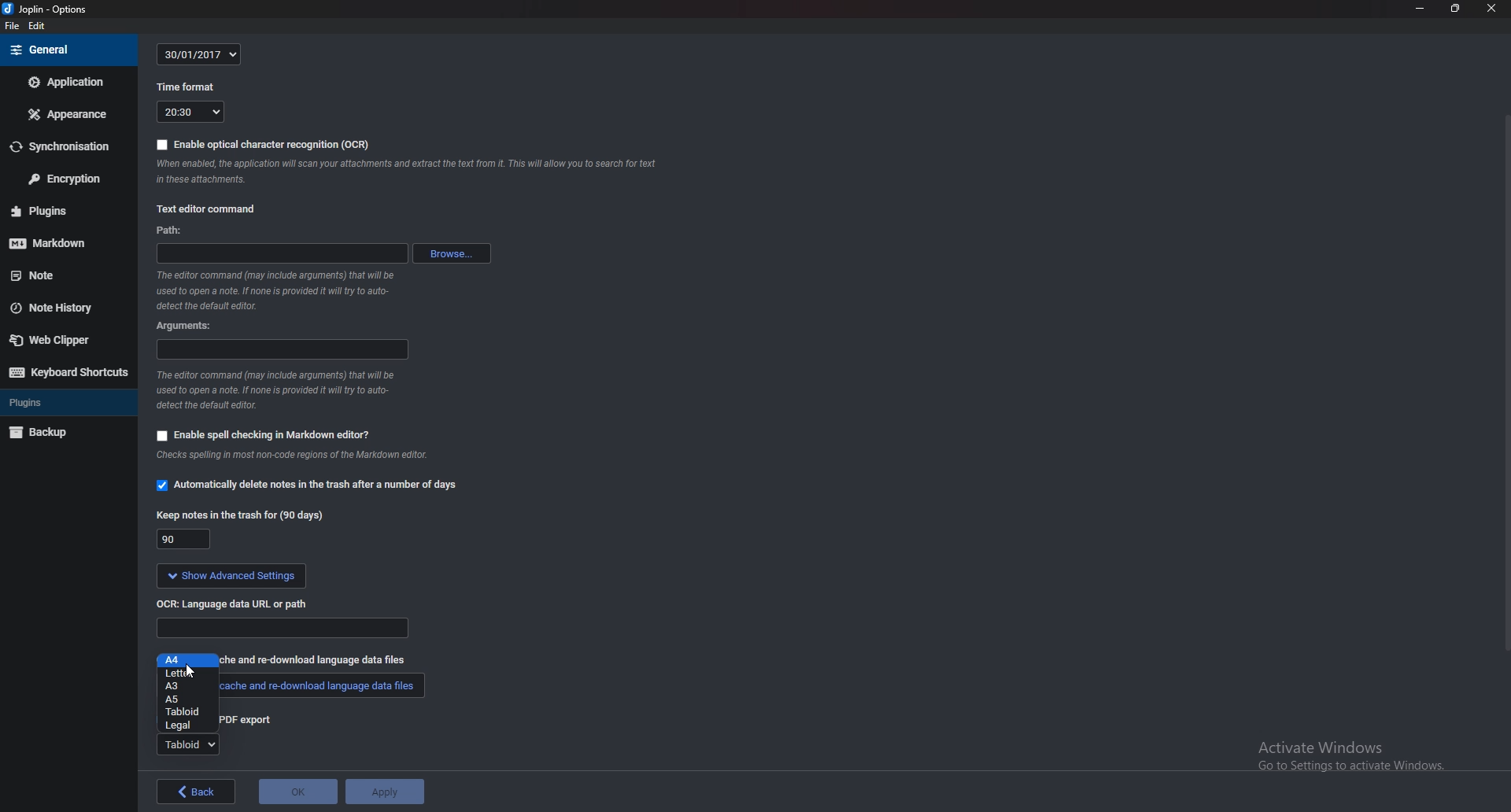 This screenshot has height=812, width=1511. Describe the element at coordinates (242, 514) in the screenshot. I see `keep note for 90 days` at that location.